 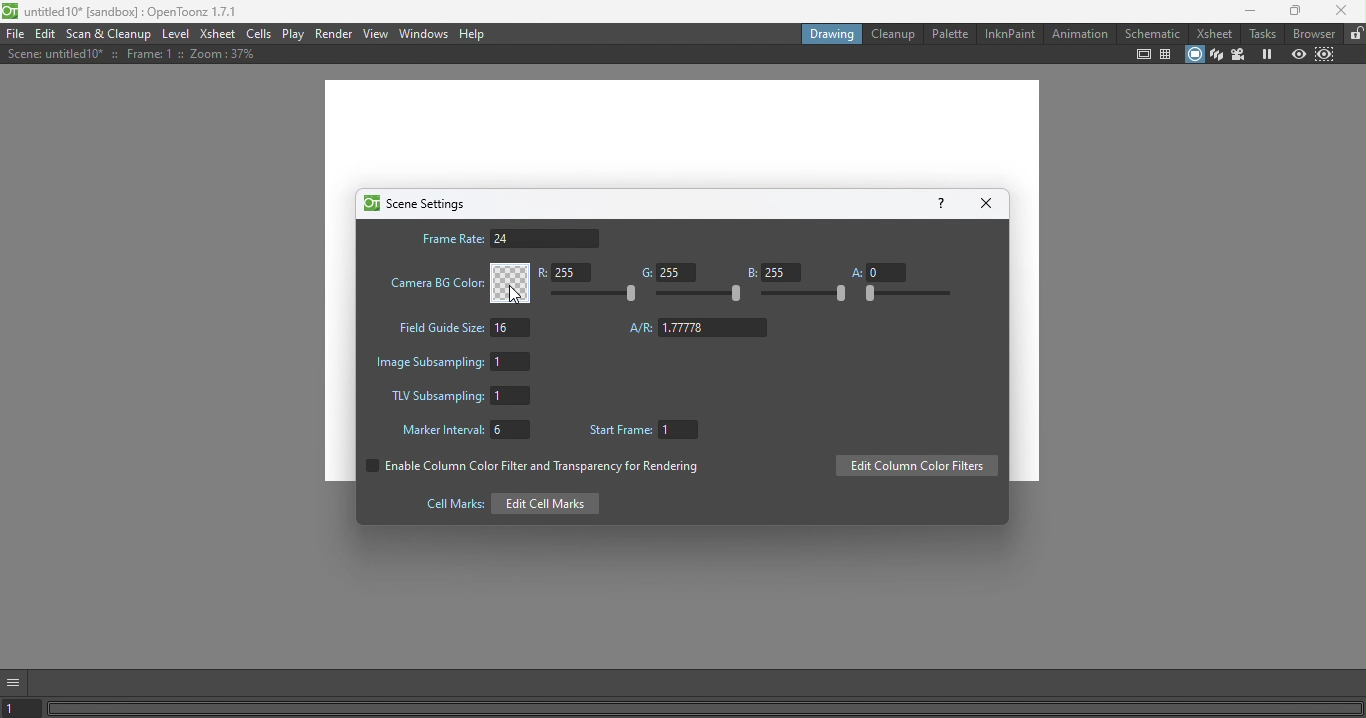 What do you see at coordinates (805, 295) in the screenshot?
I see `Slide bar` at bounding box center [805, 295].